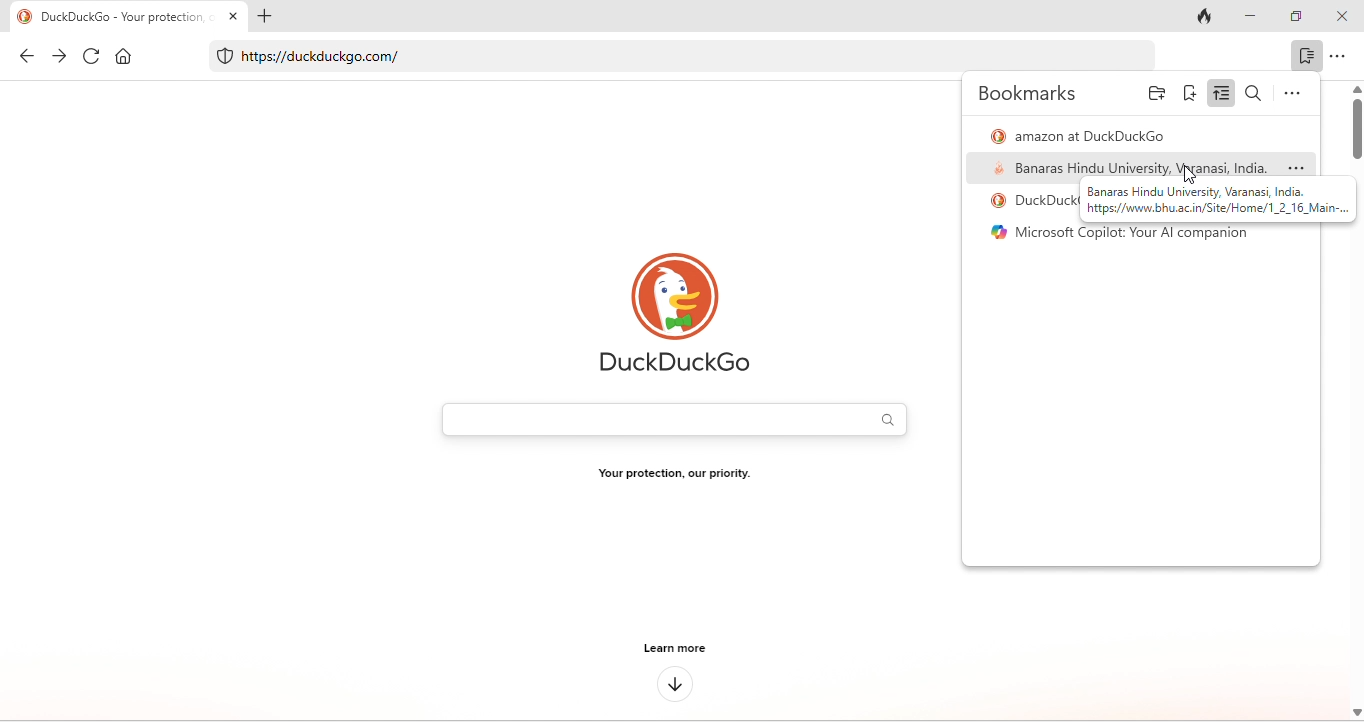  Describe the element at coordinates (1127, 238) in the screenshot. I see `microsoft copilot: Your AI companion` at that location.